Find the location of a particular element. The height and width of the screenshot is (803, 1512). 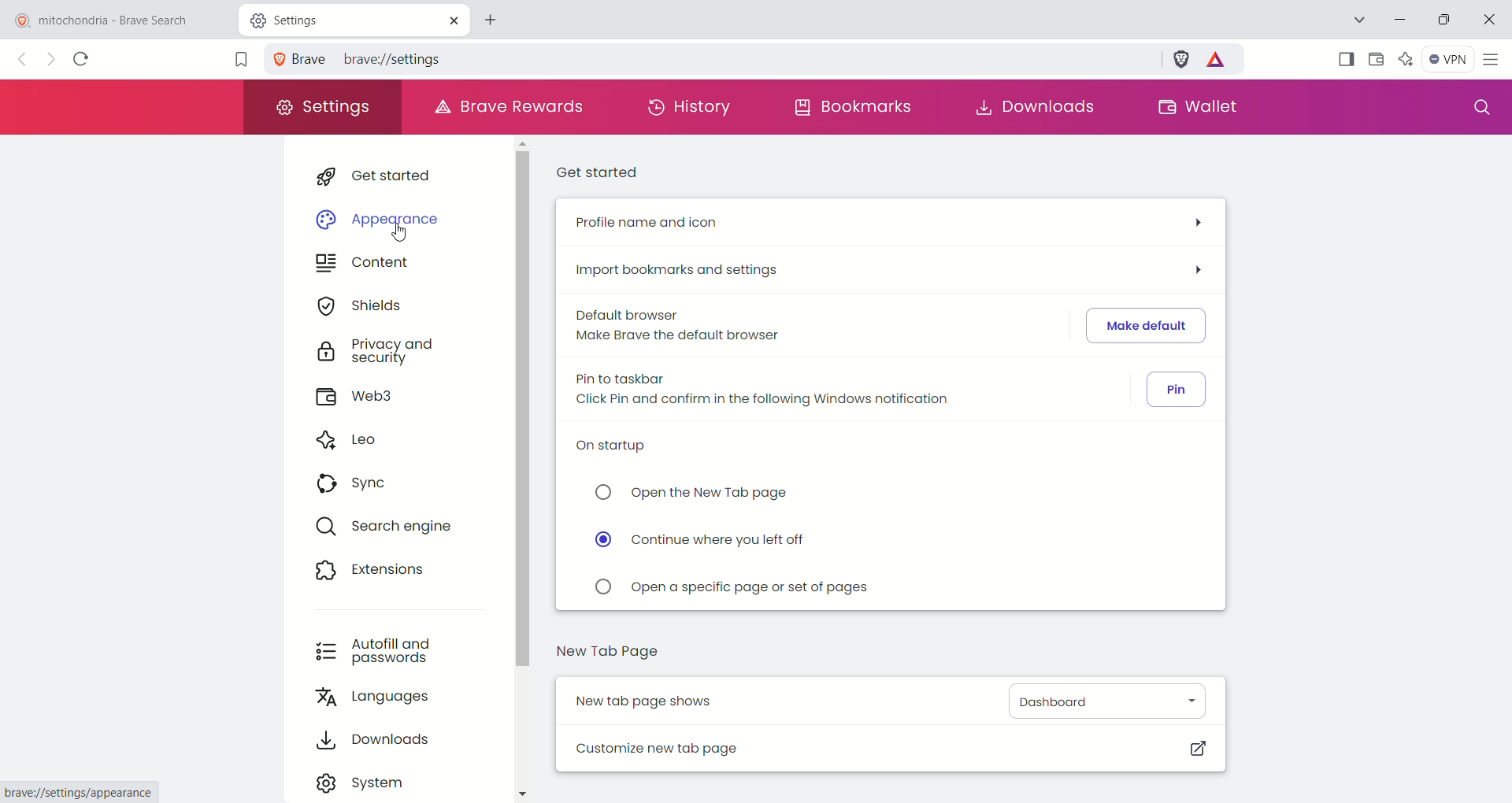

Settings is located at coordinates (301, 19).